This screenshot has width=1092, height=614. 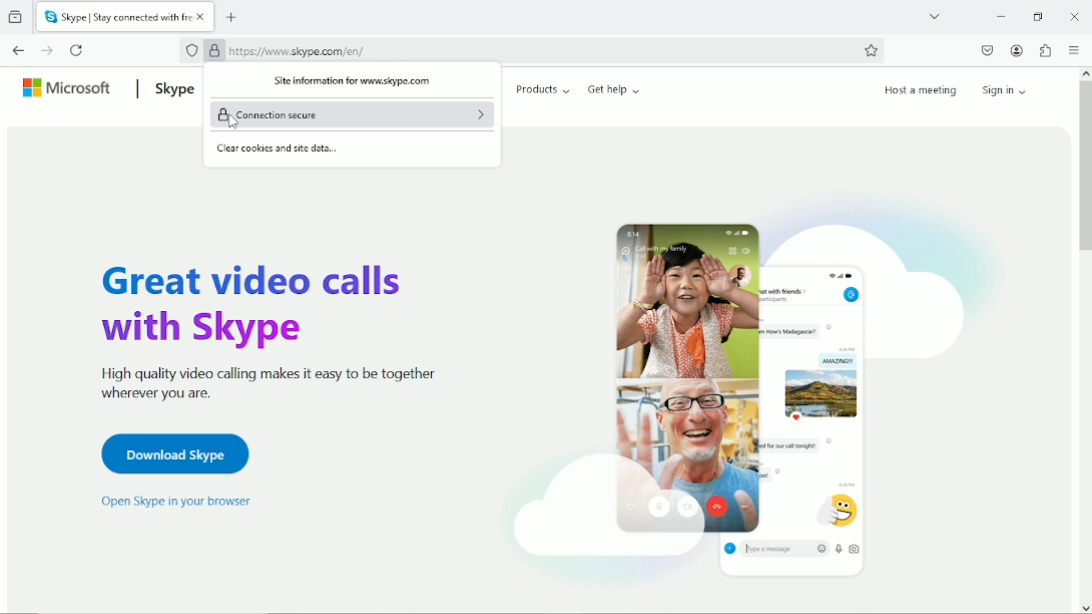 What do you see at coordinates (871, 50) in the screenshot?
I see `Bookmark this page` at bounding box center [871, 50].